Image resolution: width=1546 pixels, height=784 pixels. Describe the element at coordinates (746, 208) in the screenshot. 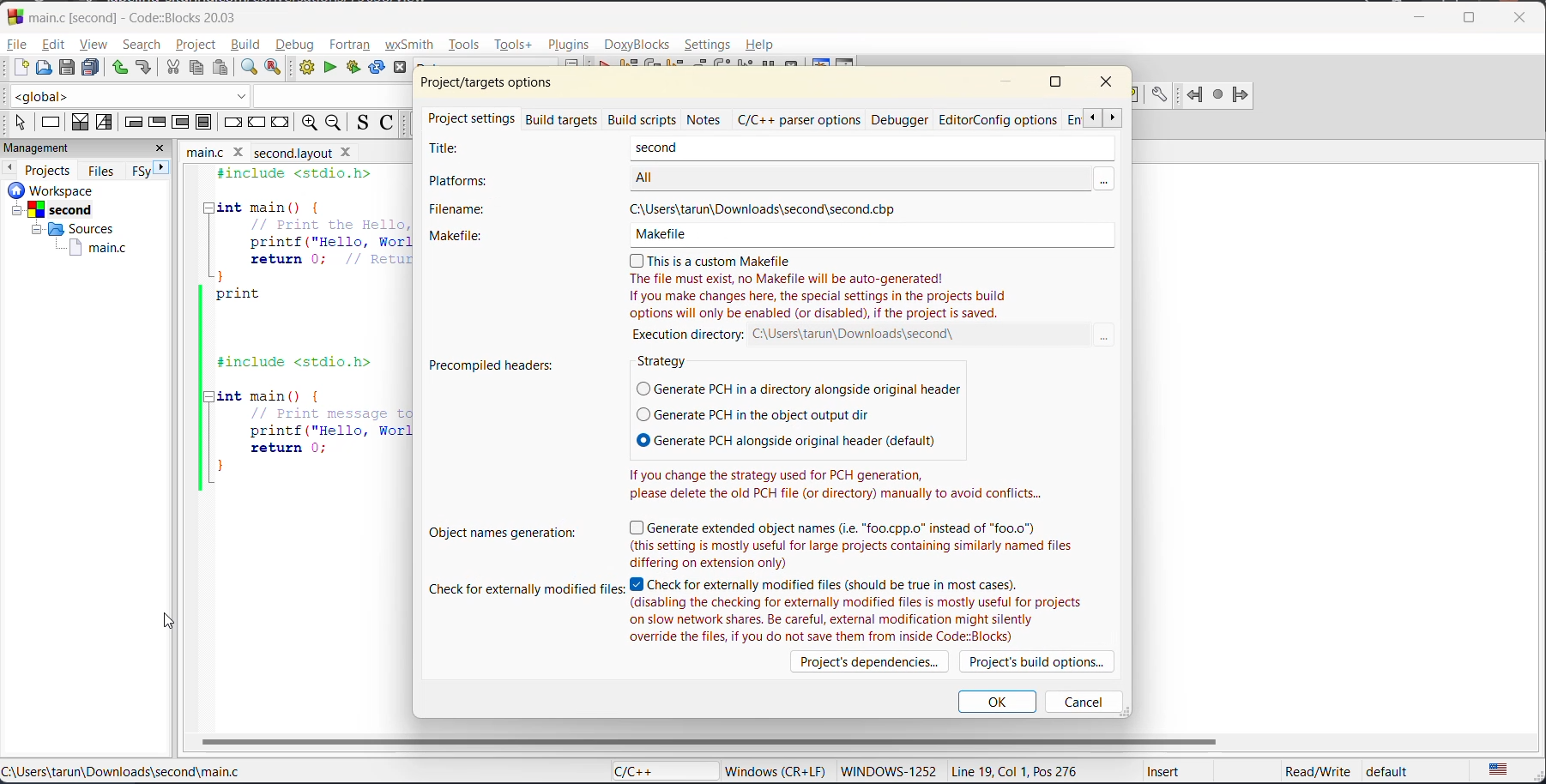

I see `filename` at that location.